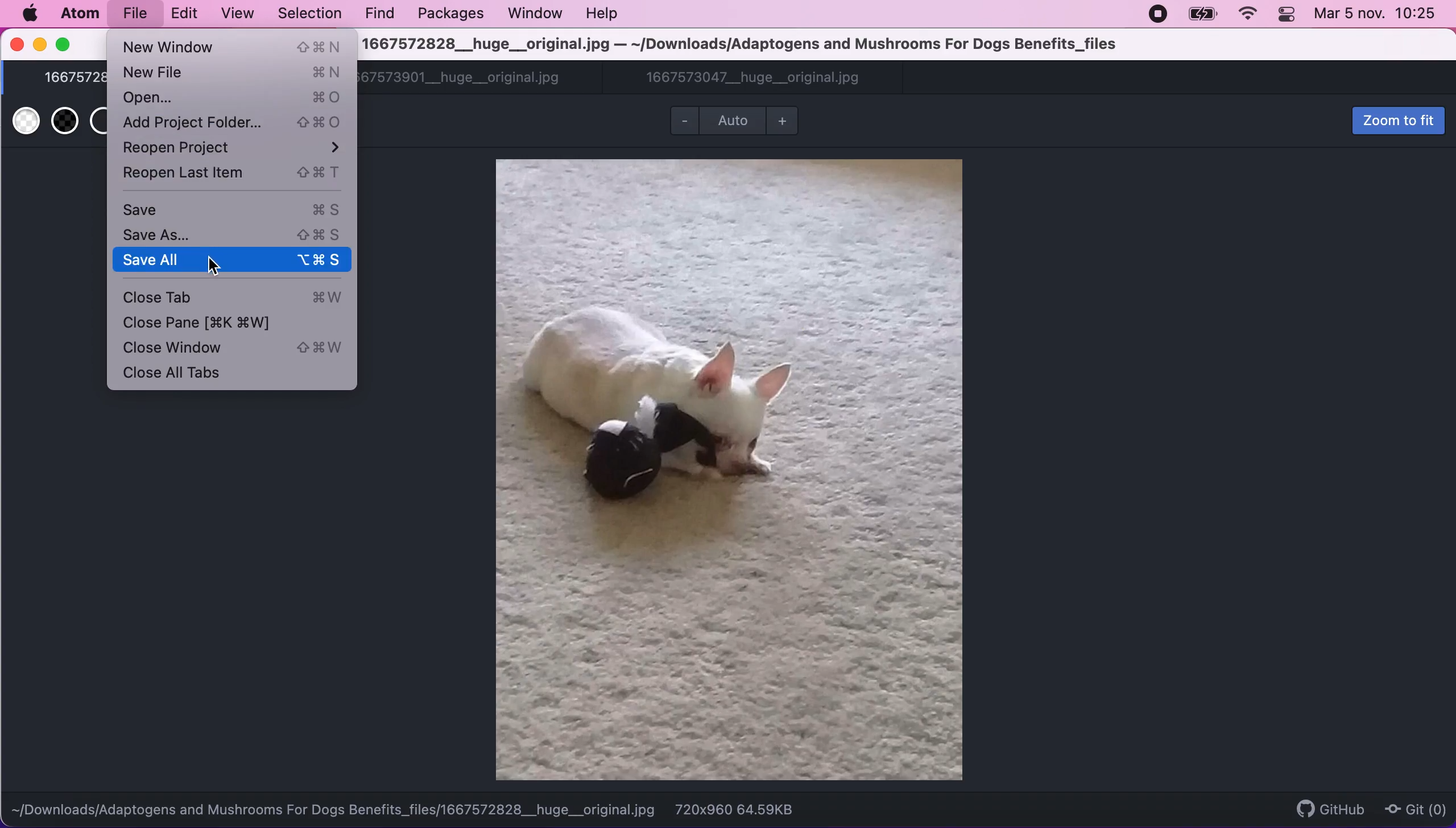 The width and height of the screenshot is (1456, 828). I want to click on save as, so click(235, 235).